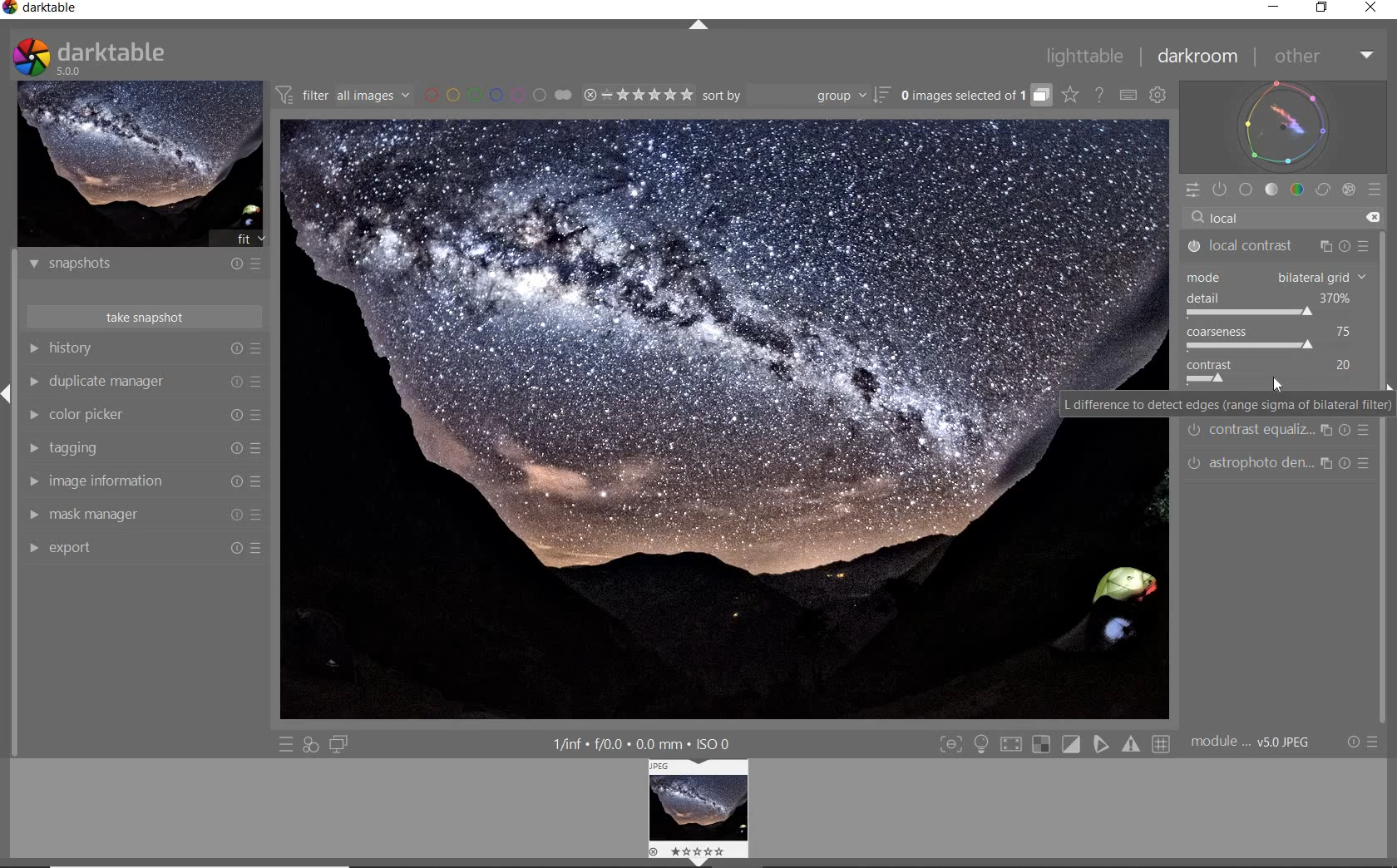  I want to click on Switched off, so click(1189, 463).